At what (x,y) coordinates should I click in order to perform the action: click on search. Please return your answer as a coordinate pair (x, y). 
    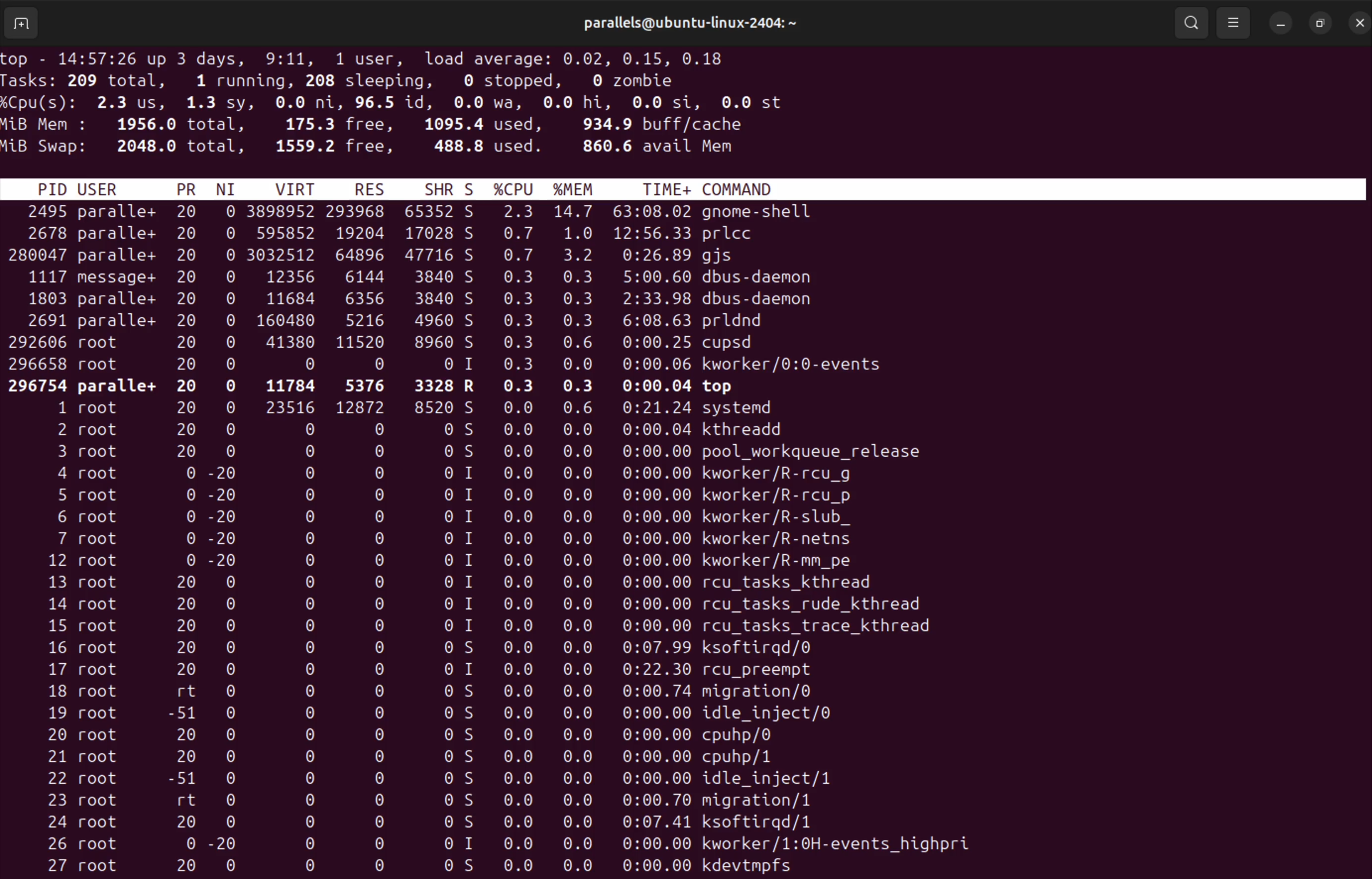
    Looking at the image, I should click on (1192, 21).